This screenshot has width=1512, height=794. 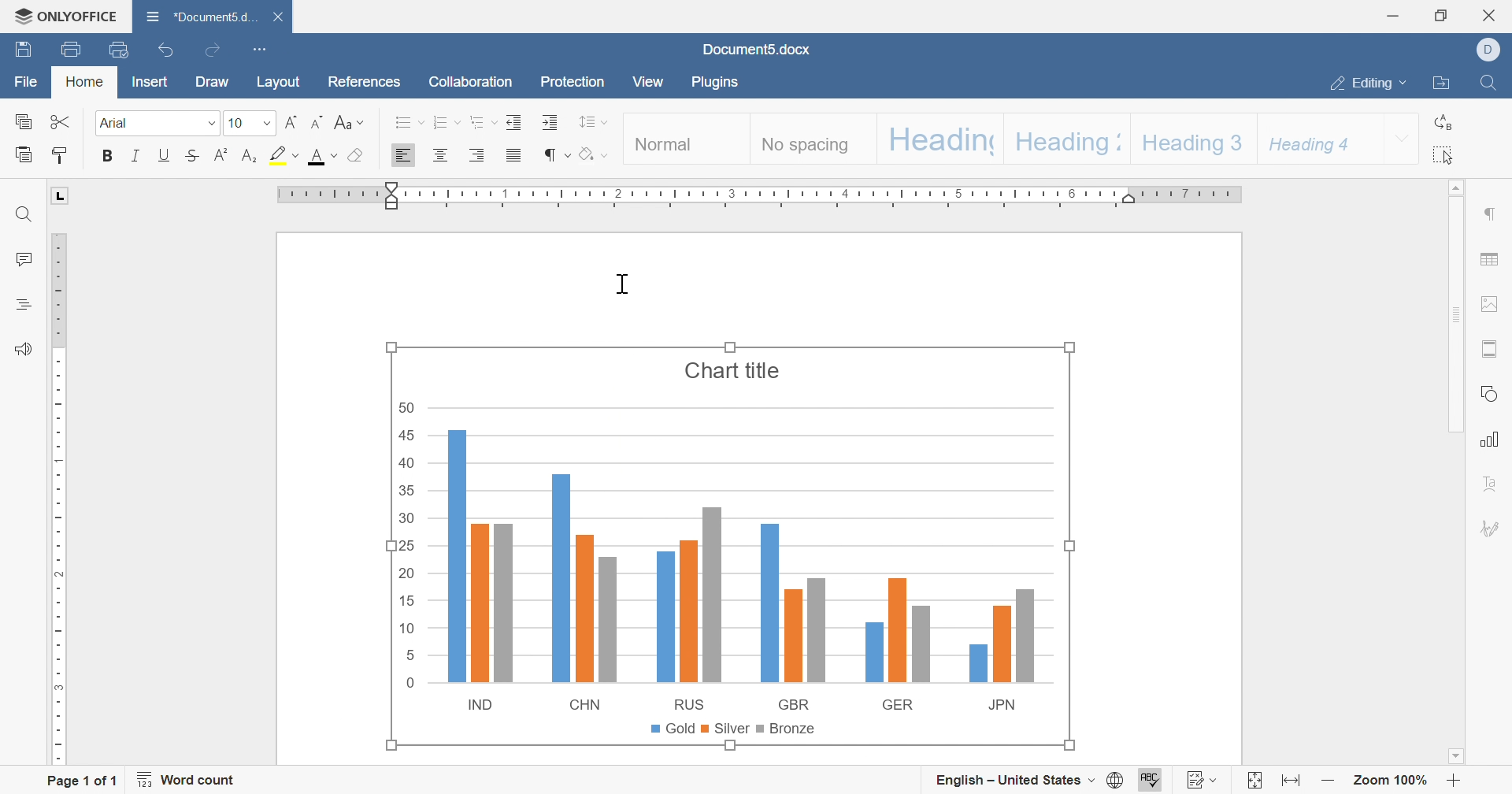 What do you see at coordinates (24, 213) in the screenshot?
I see `find` at bounding box center [24, 213].